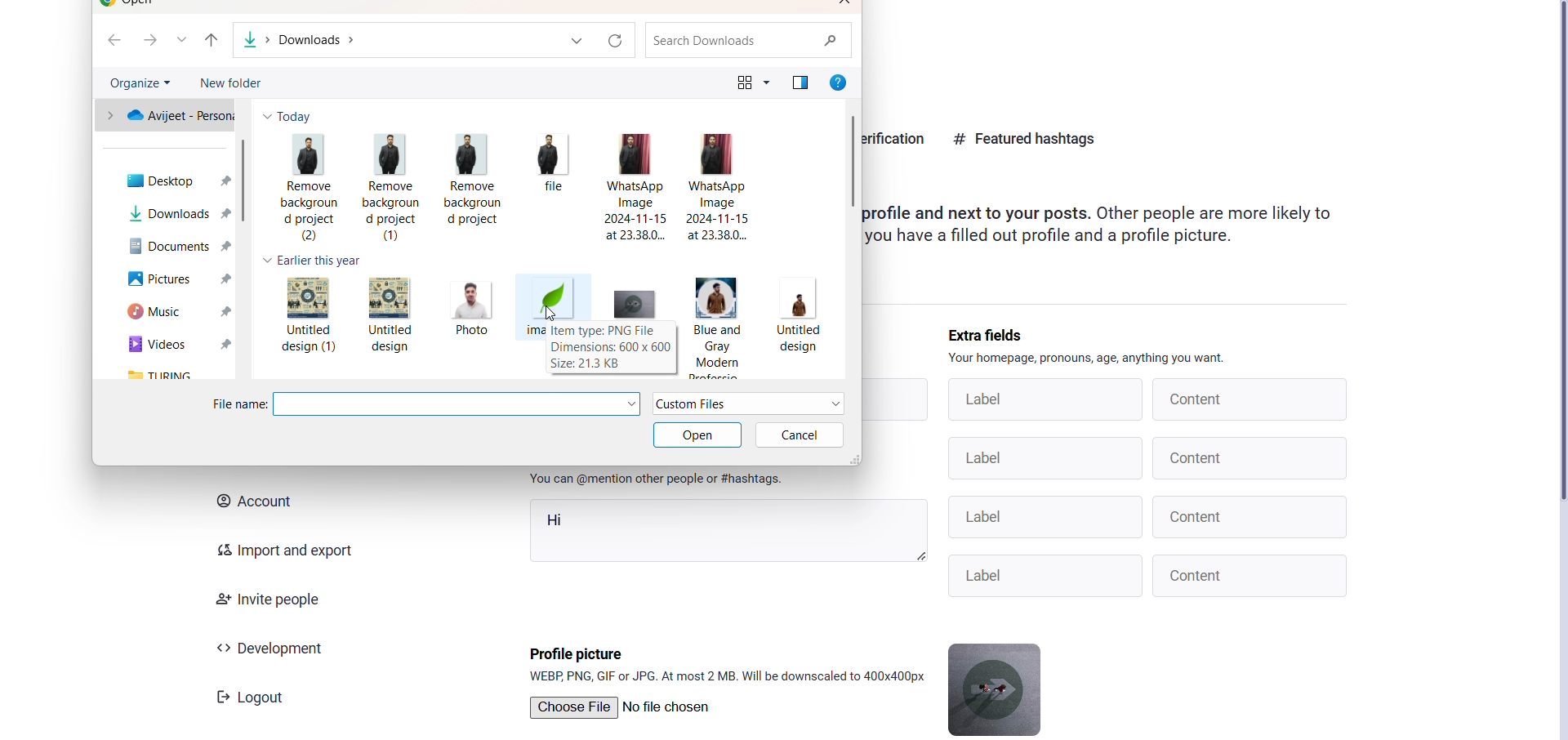  What do you see at coordinates (552, 298) in the screenshot?
I see `Image file` at bounding box center [552, 298].